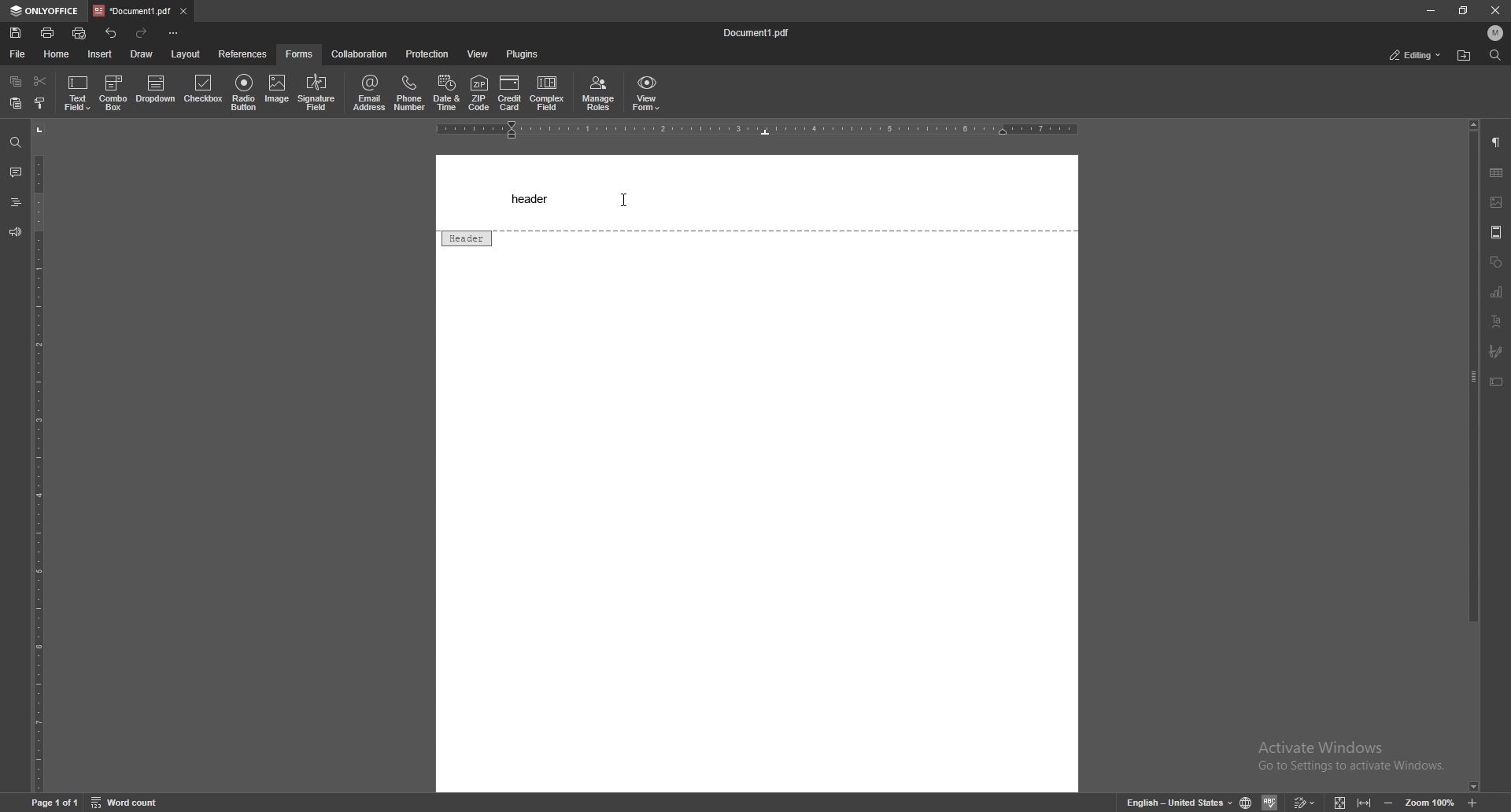 The height and width of the screenshot is (812, 1511). Describe the element at coordinates (1497, 203) in the screenshot. I see `image` at that location.